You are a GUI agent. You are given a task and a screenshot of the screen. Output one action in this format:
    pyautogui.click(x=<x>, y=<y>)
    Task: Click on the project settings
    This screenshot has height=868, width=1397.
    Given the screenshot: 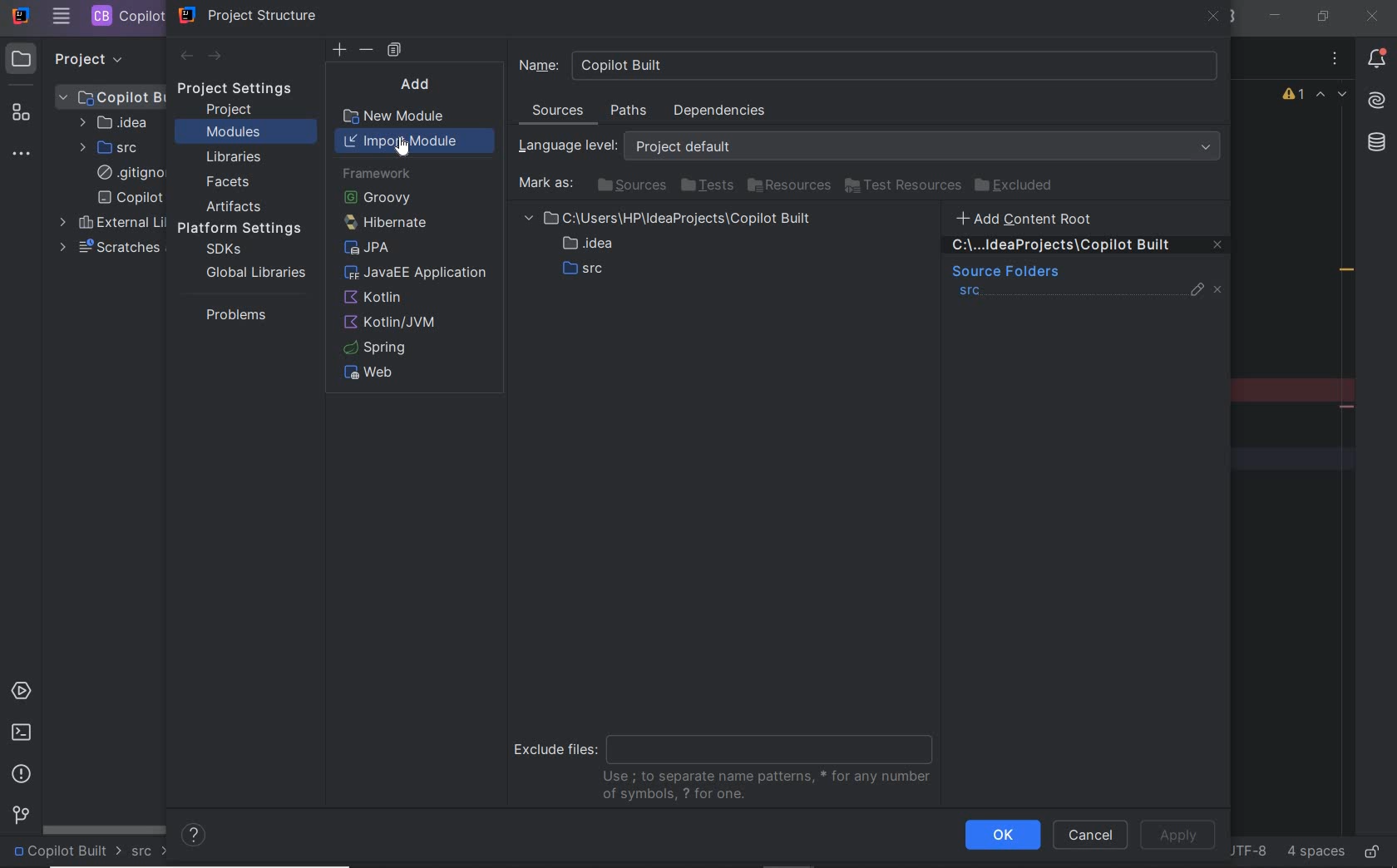 What is the action you would take?
    pyautogui.click(x=246, y=89)
    